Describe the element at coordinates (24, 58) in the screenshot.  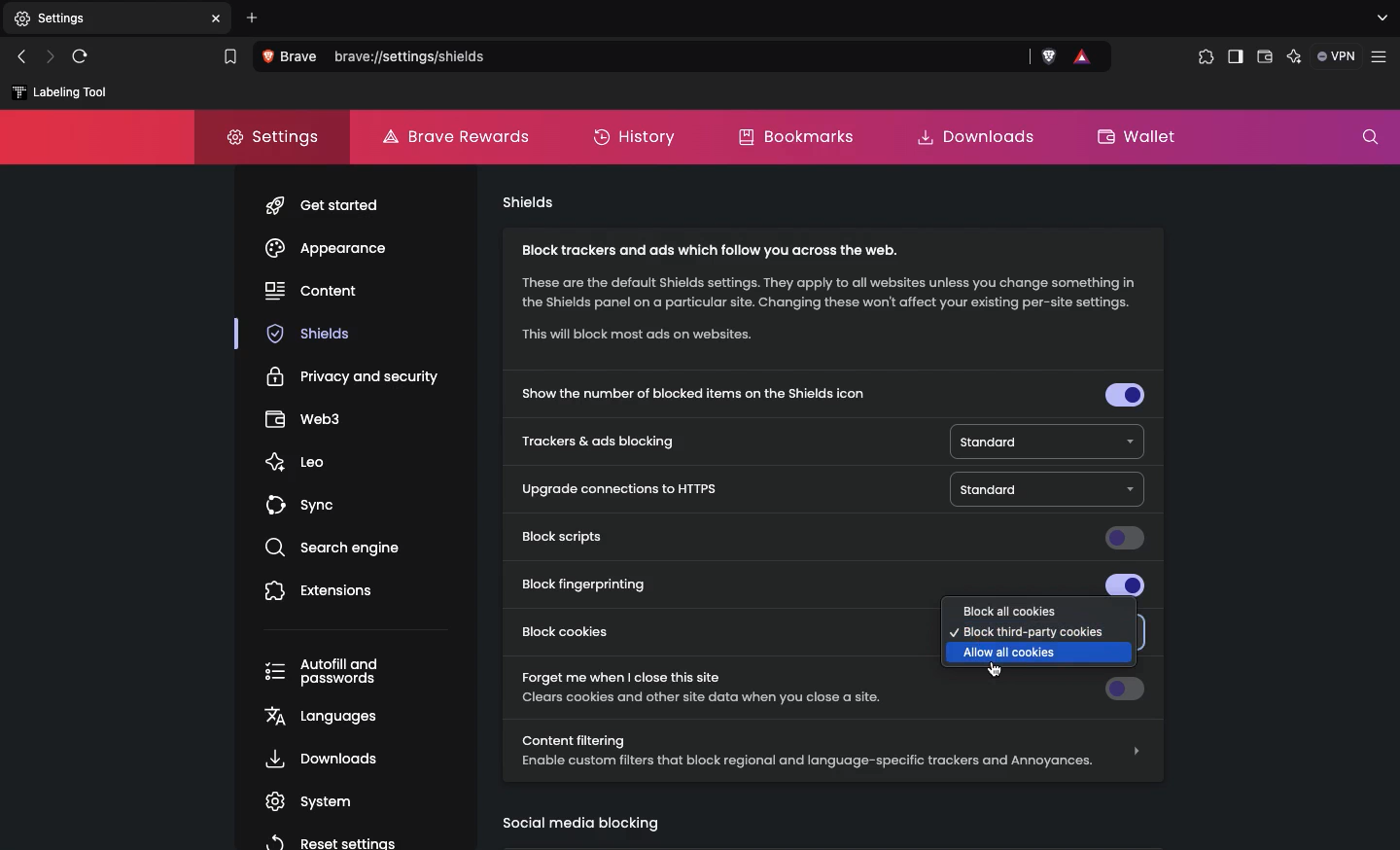
I see `Previous page` at that location.